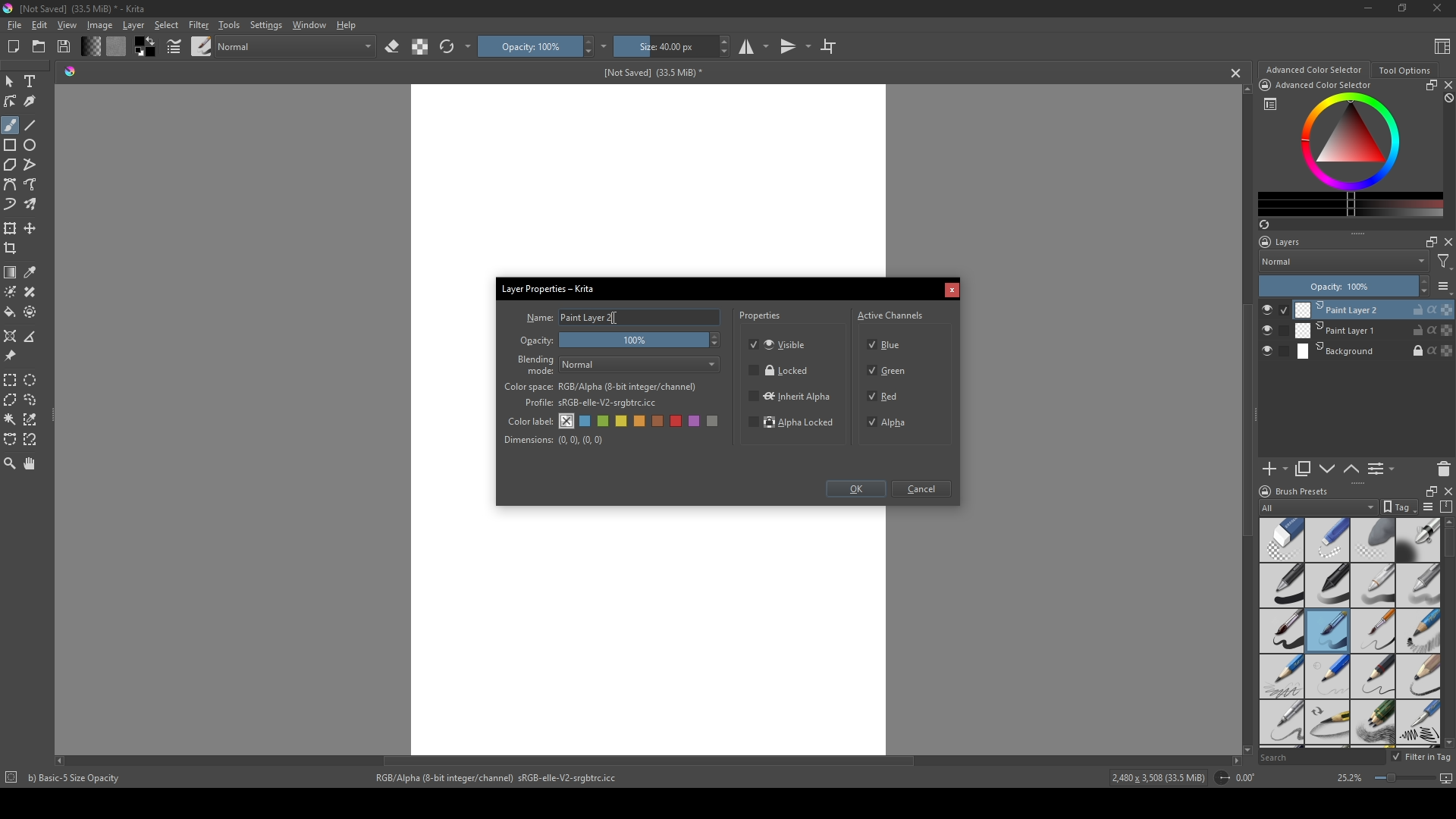 This screenshot has height=819, width=1456. What do you see at coordinates (678, 421) in the screenshot?
I see `red` at bounding box center [678, 421].